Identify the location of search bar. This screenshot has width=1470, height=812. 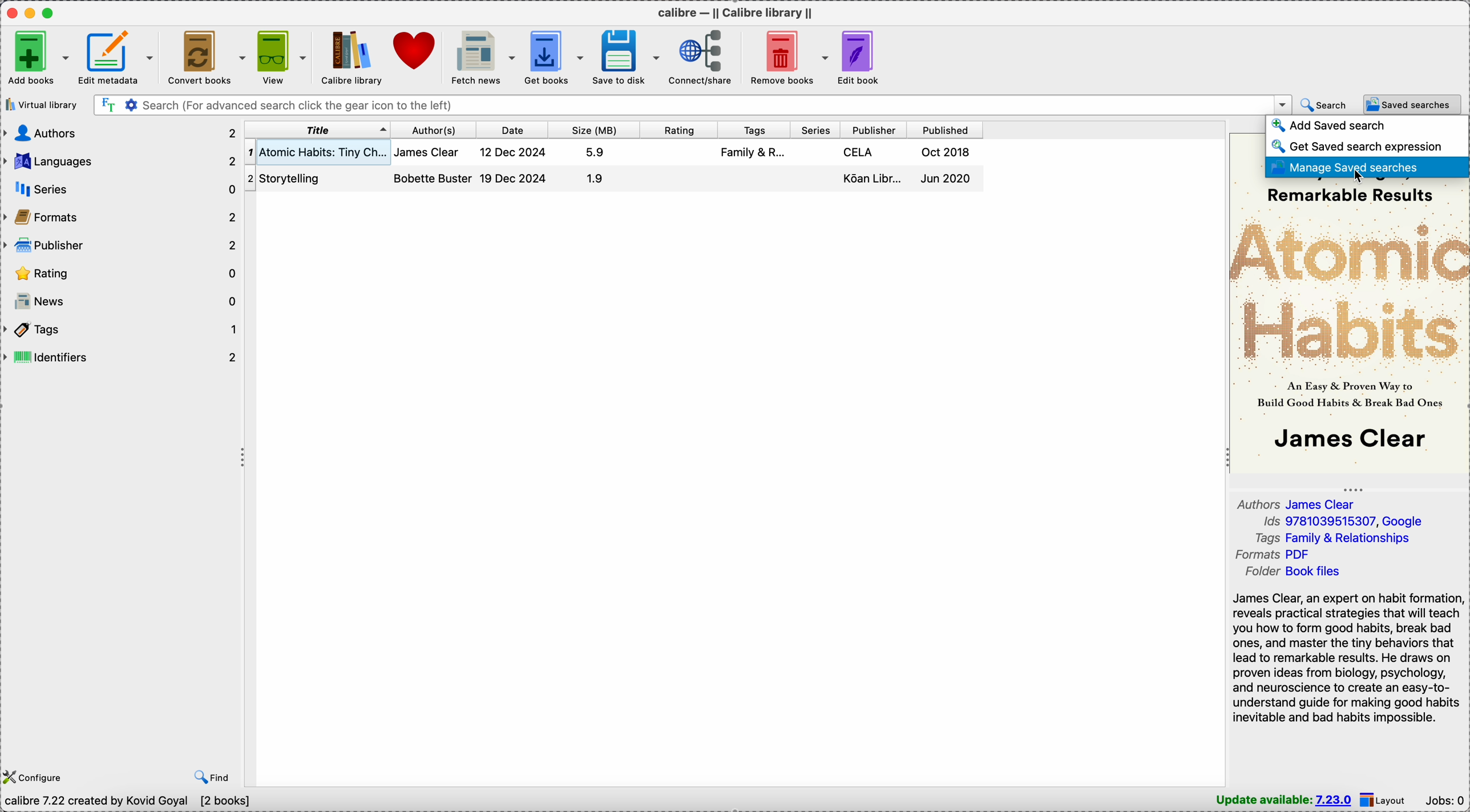
(693, 104).